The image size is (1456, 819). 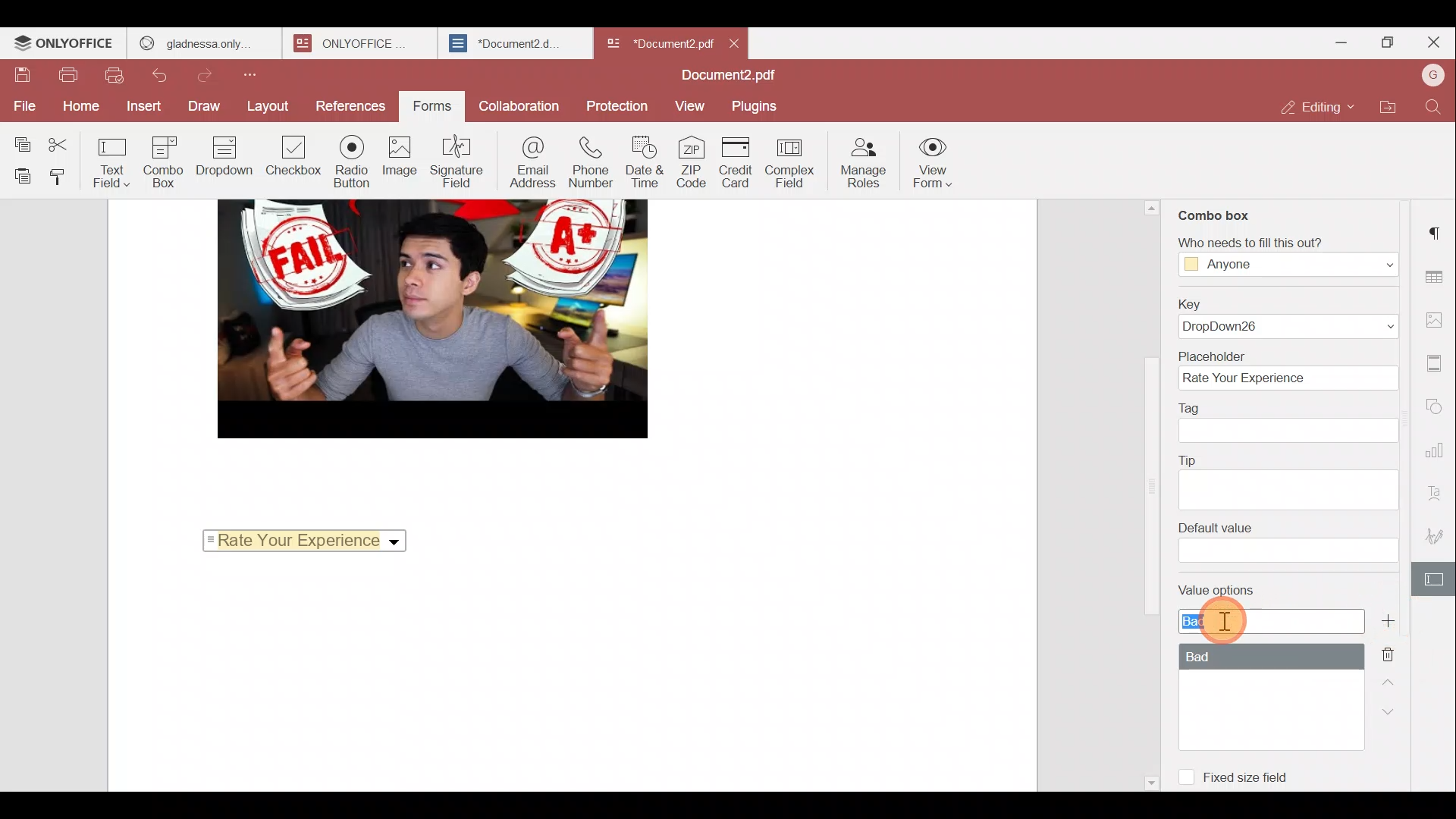 What do you see at coordinates (1216, 212) in the screenshot?
I see `Combo box` at bounding box center [1216, 212].